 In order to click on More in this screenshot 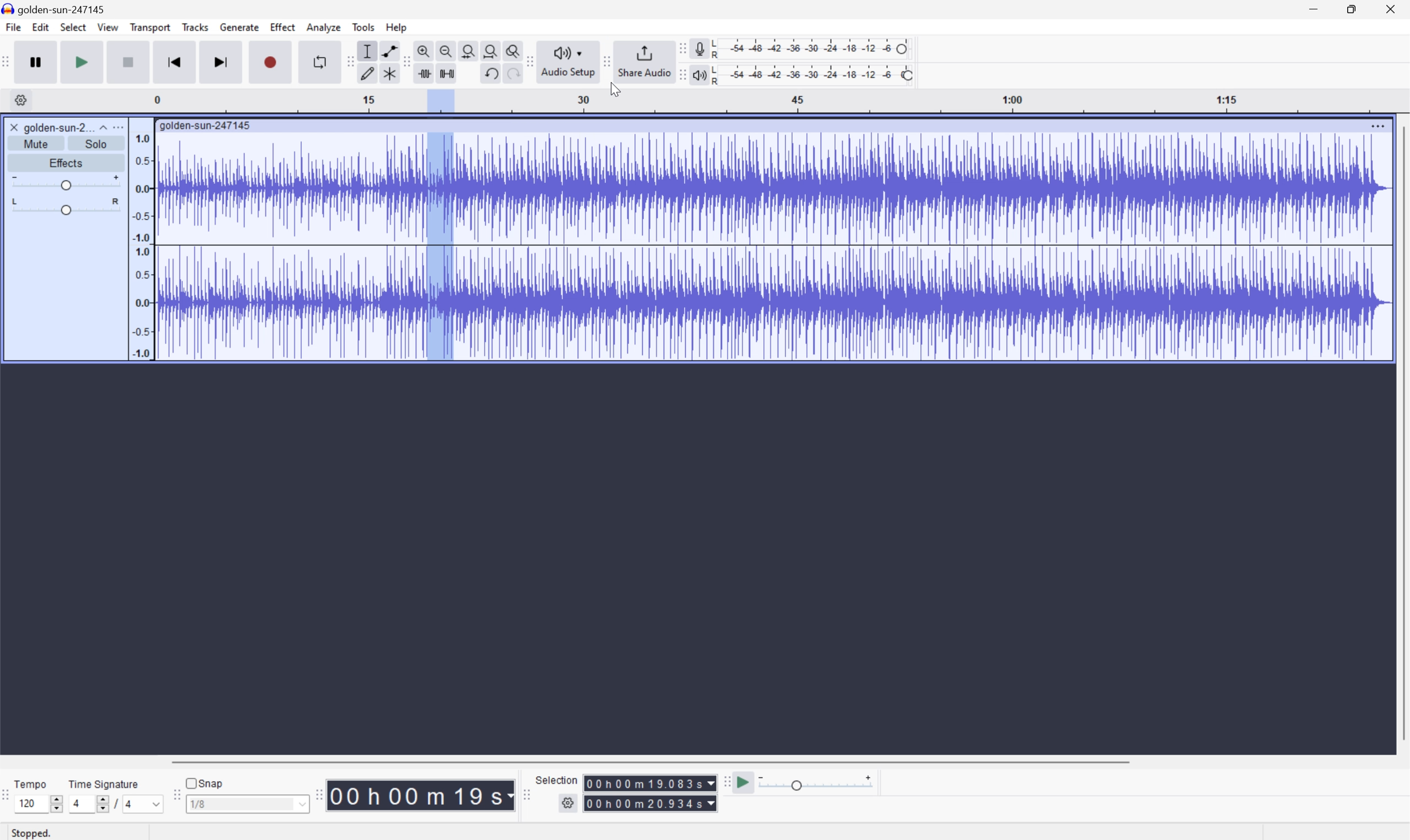, I will do `click(121, 126)`.